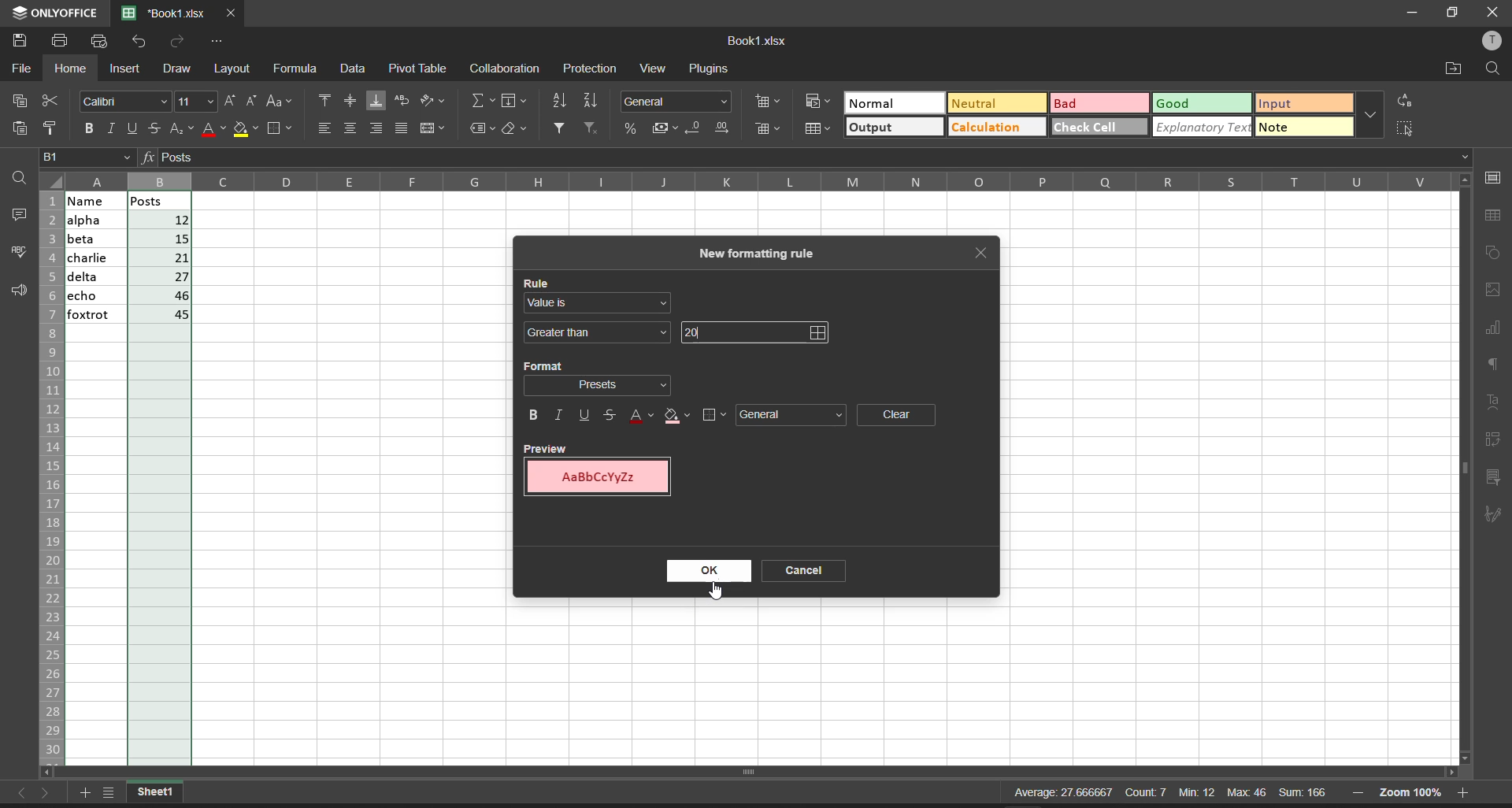  What do you see at coordinates (1496, 401) in the screenshot?
I see `text settings` at bounding box center [1496, 401].